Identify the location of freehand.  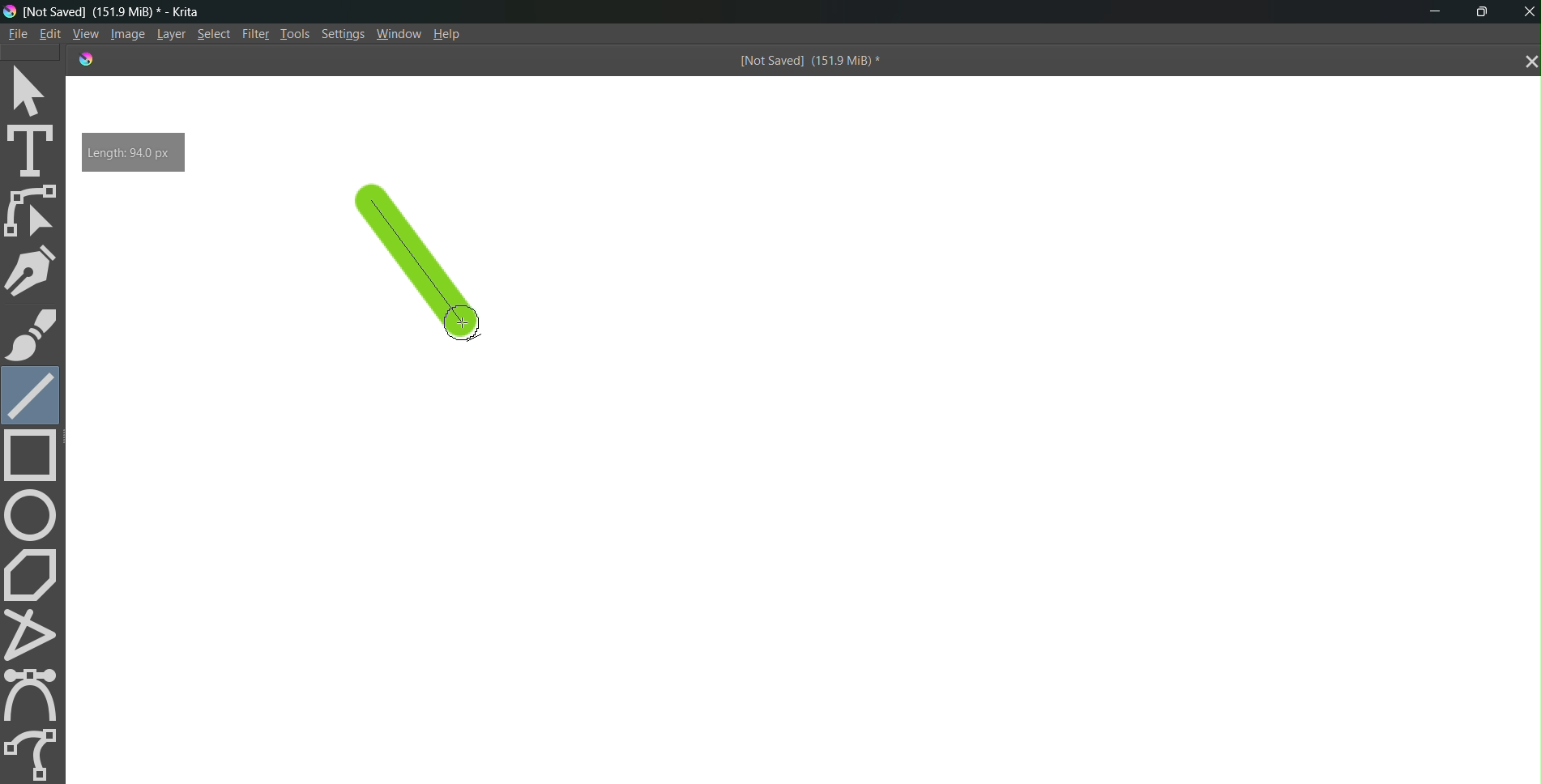
(34, 752).